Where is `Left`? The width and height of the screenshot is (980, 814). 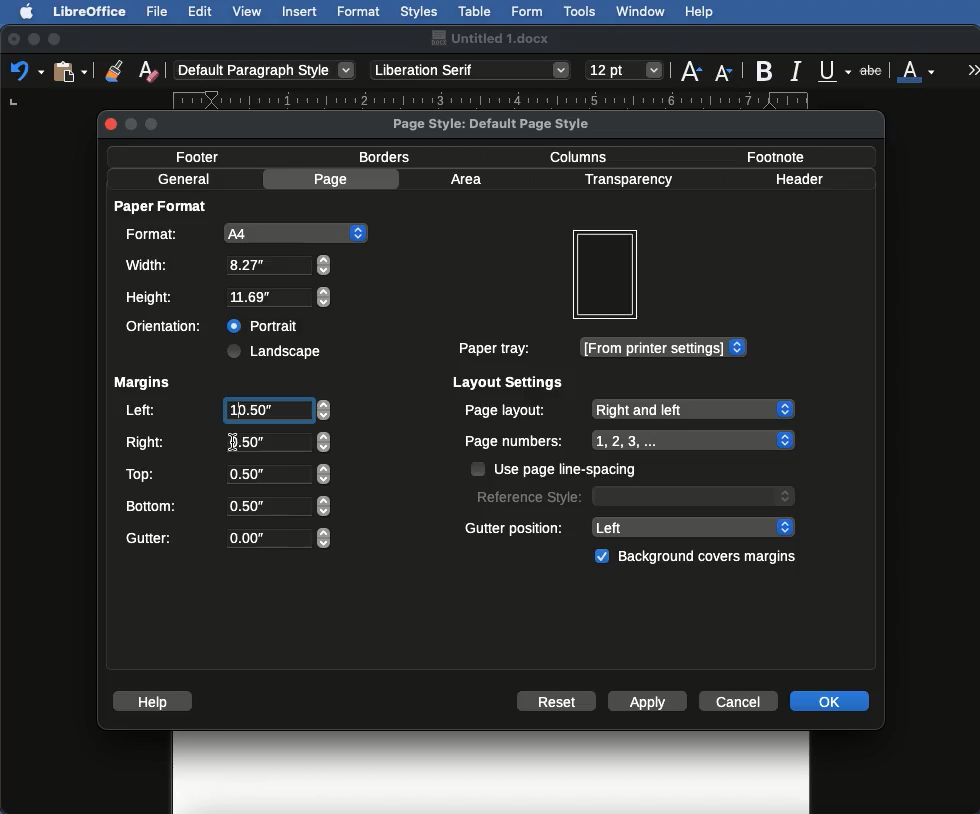 Left is located at coordinates (226, 412).